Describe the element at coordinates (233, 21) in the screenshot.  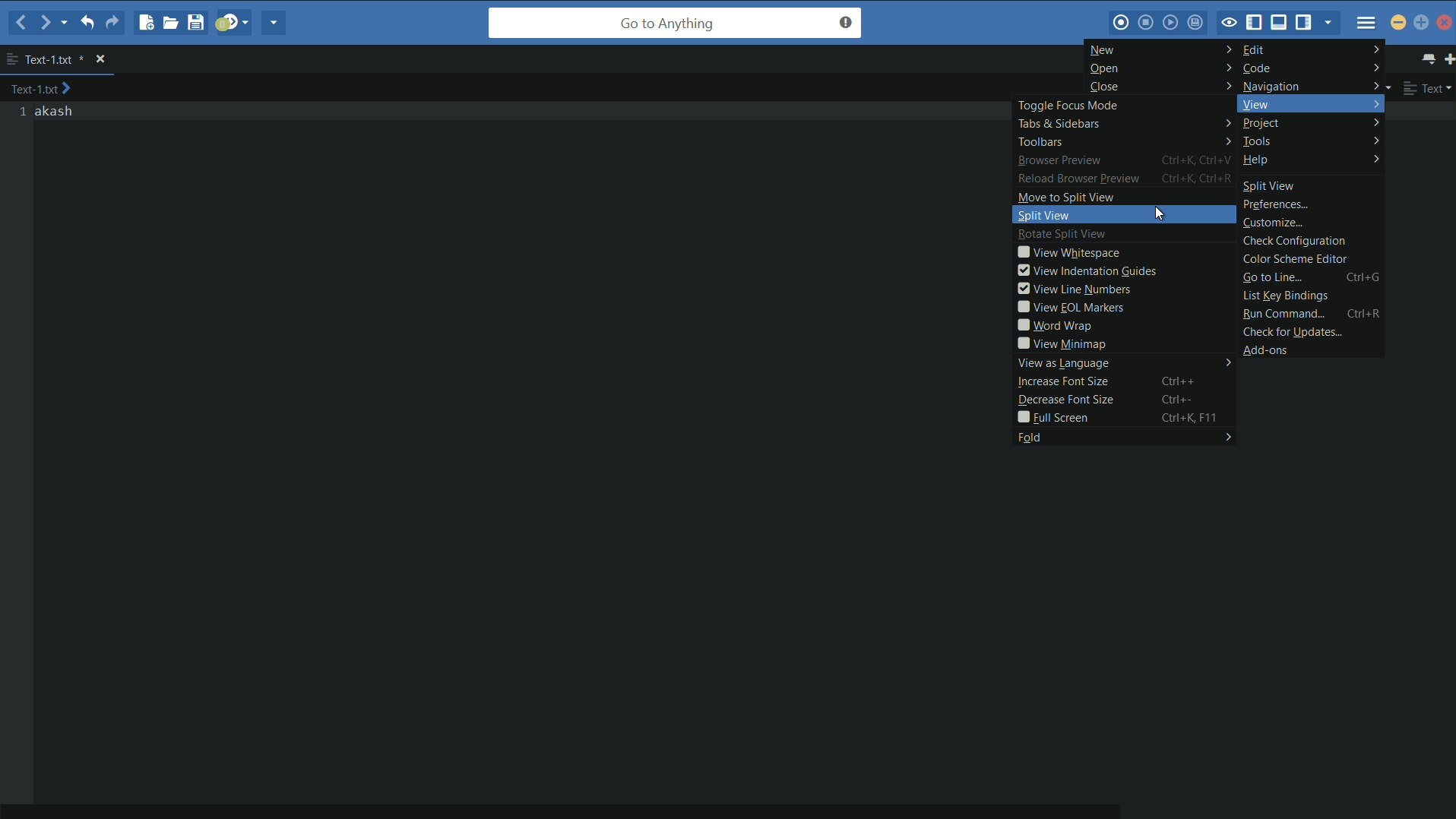
I see `jump to next syntax checking result` at that location.